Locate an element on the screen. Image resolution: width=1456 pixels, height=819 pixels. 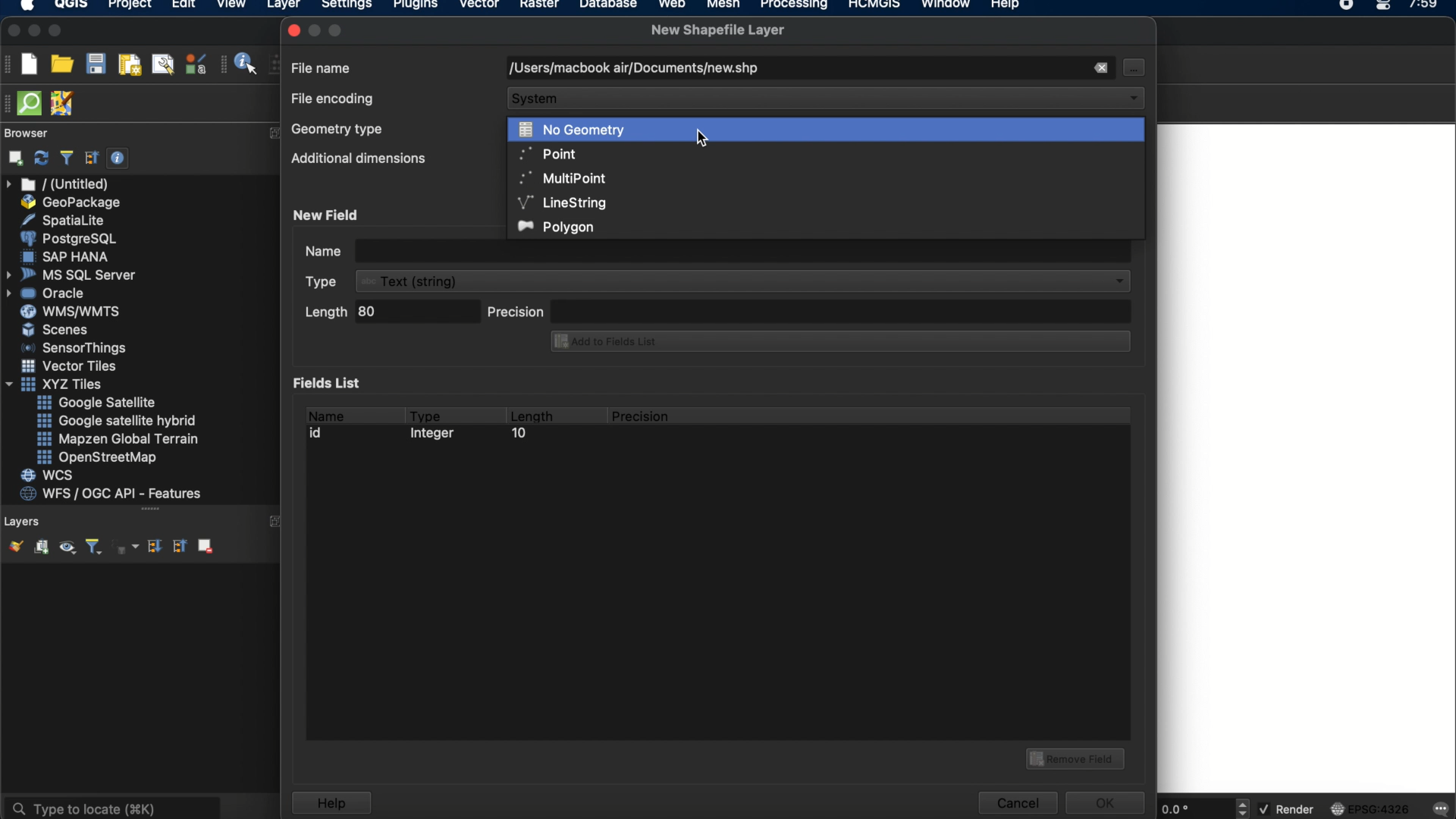
refresh is located at coordinates (42, 158).